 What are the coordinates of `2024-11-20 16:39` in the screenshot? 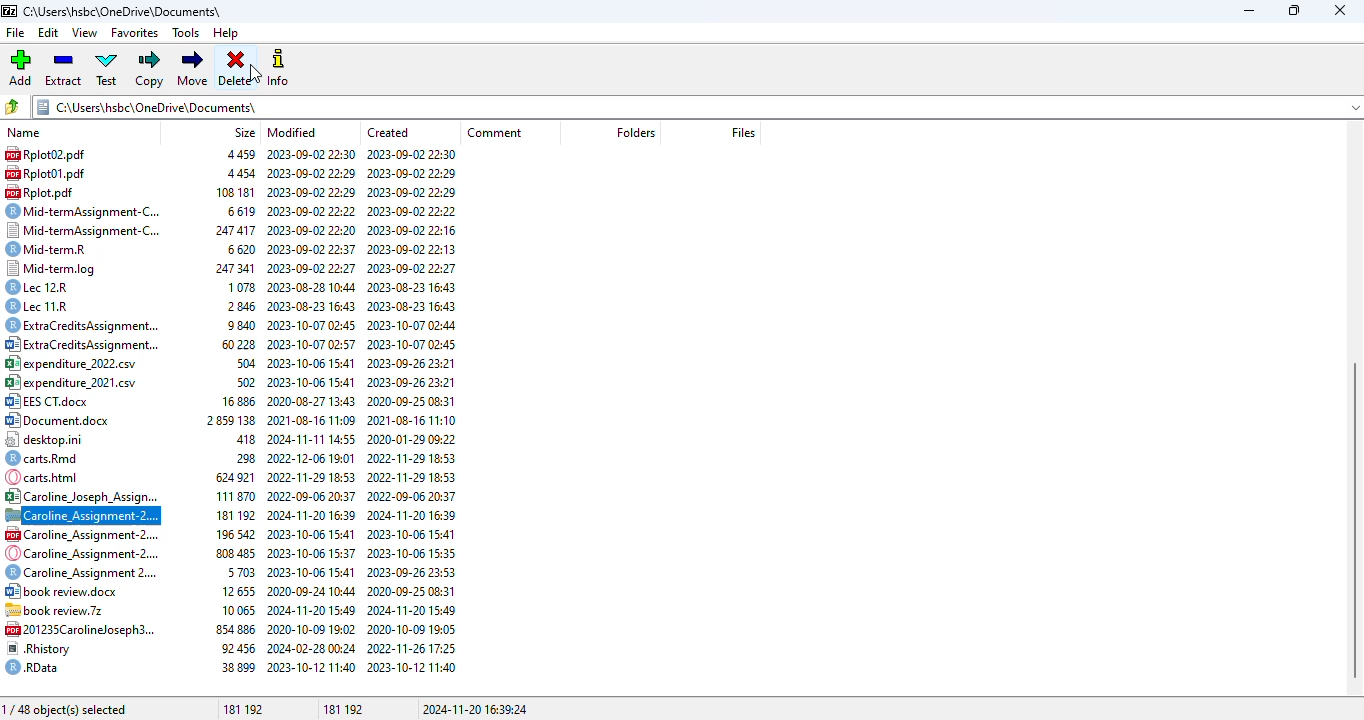 It's located at (411, 515).